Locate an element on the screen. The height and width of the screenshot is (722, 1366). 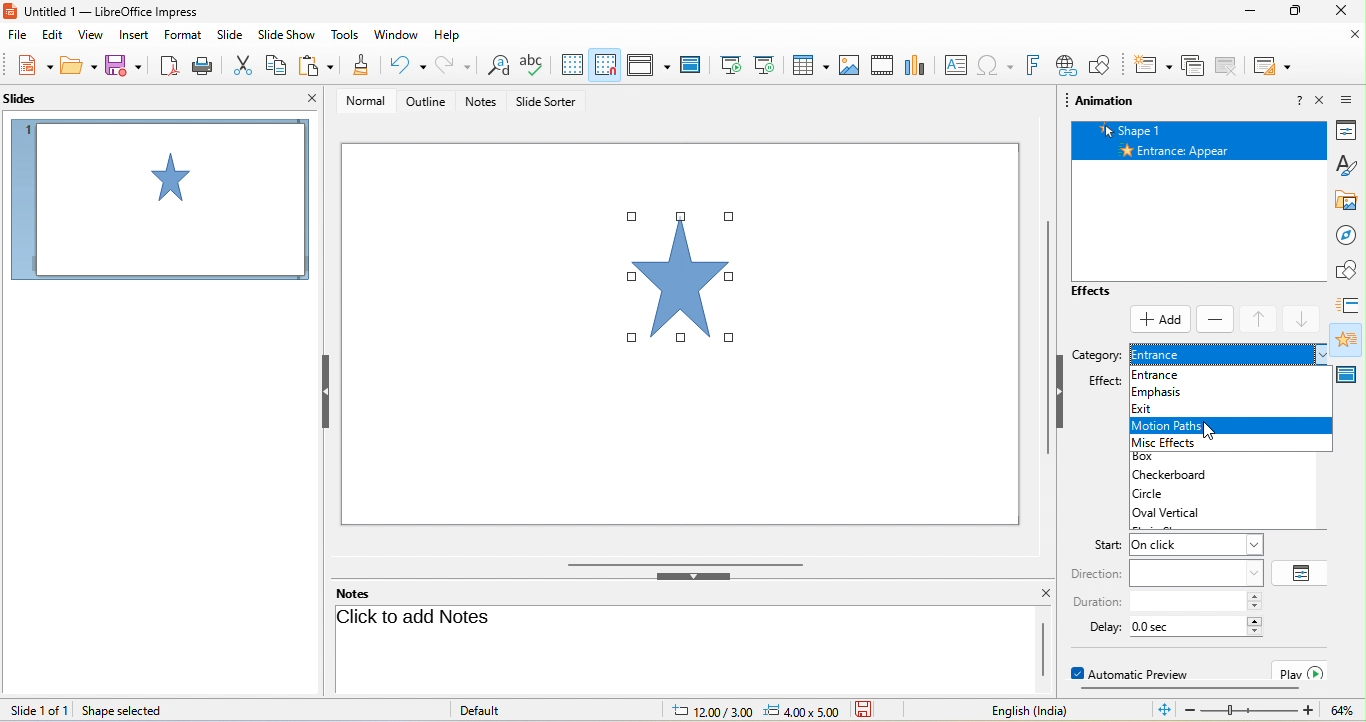
cut is located at coordinates (244, 65).